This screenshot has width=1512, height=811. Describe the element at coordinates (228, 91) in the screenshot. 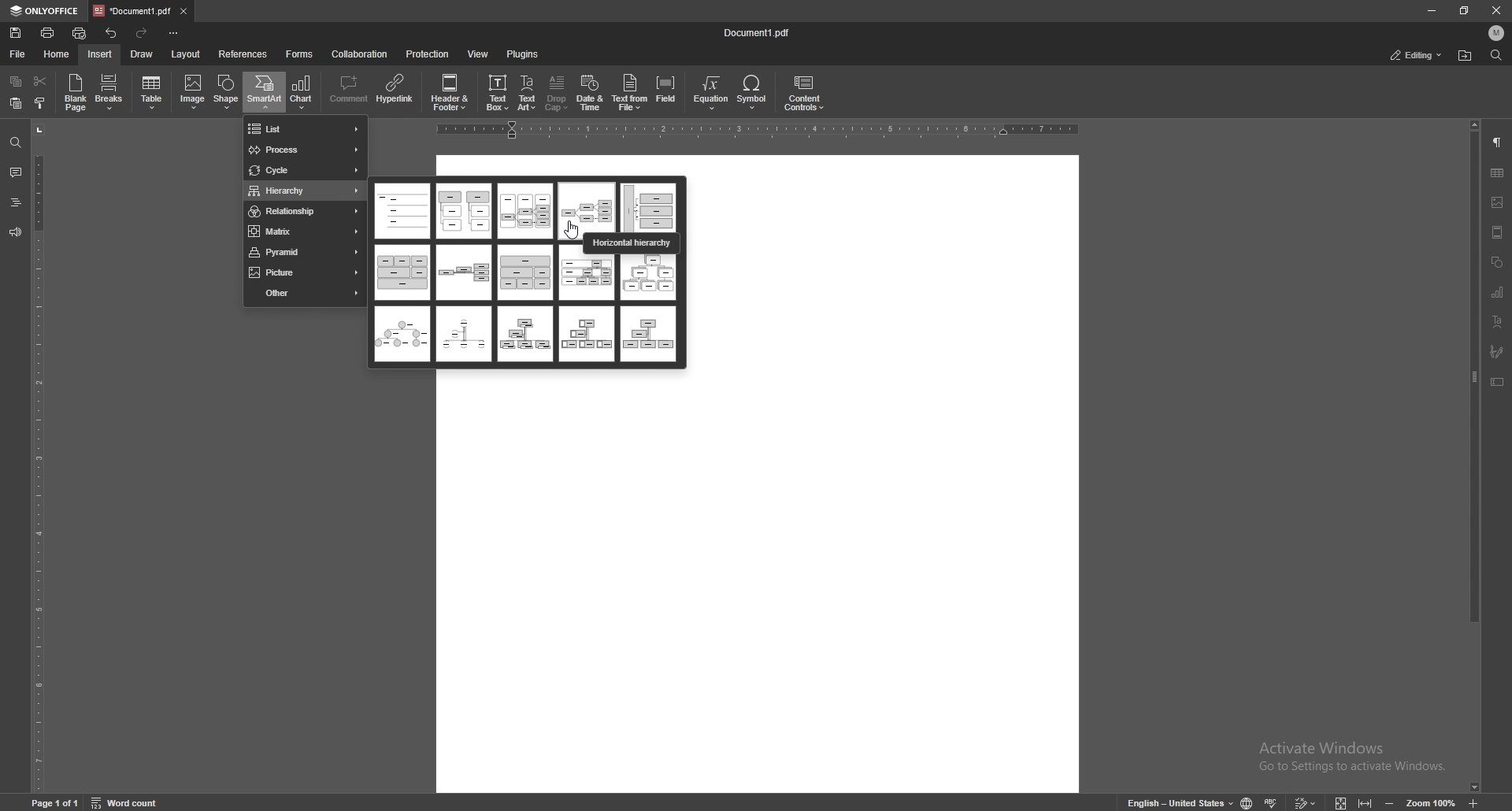

I see `shape` at that location.